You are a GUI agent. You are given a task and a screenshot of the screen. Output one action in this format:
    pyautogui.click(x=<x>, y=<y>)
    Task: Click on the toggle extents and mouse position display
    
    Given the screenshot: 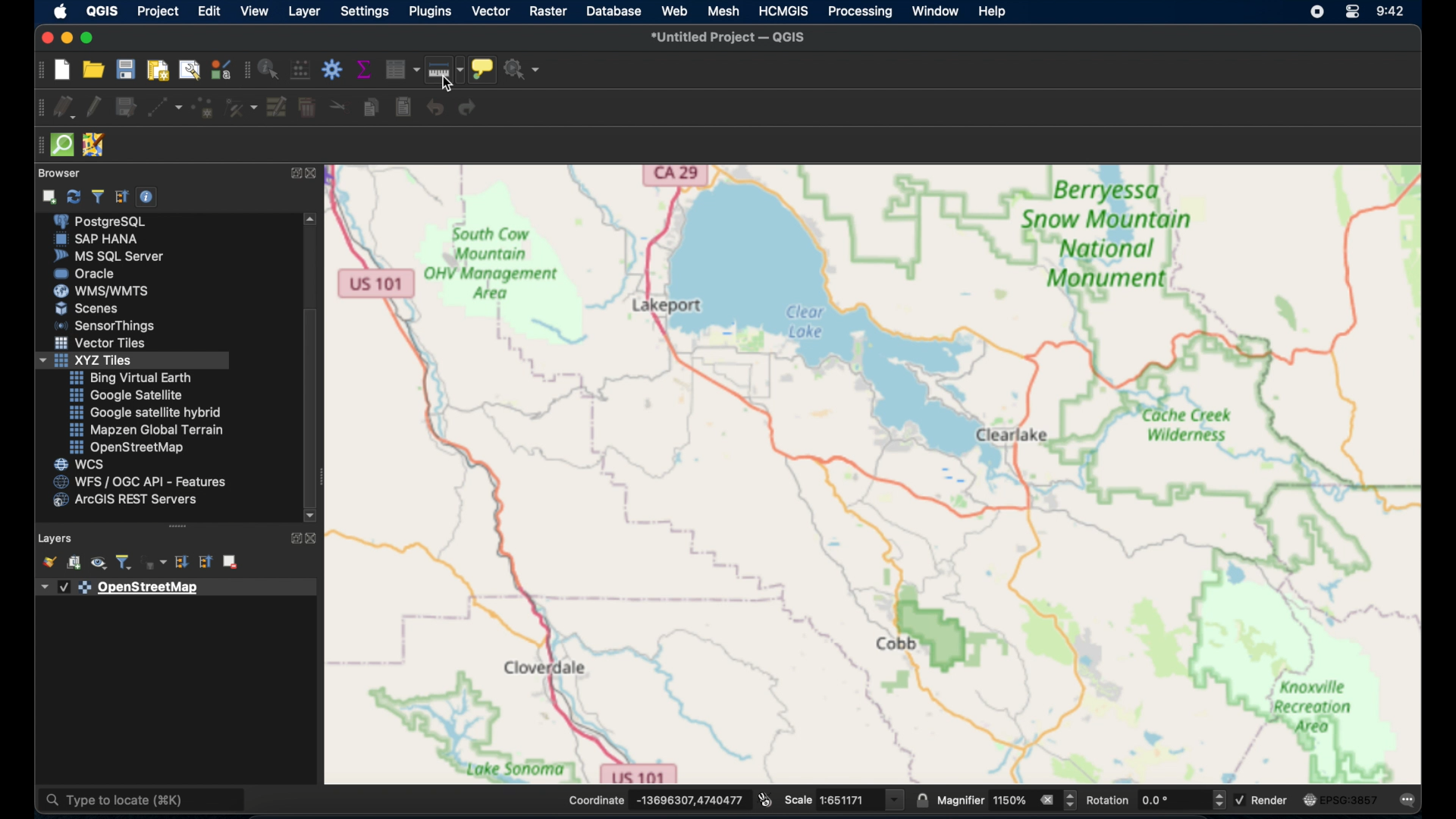 What is the action you would take?
    pyautogui.click(x=765, y=799)
    